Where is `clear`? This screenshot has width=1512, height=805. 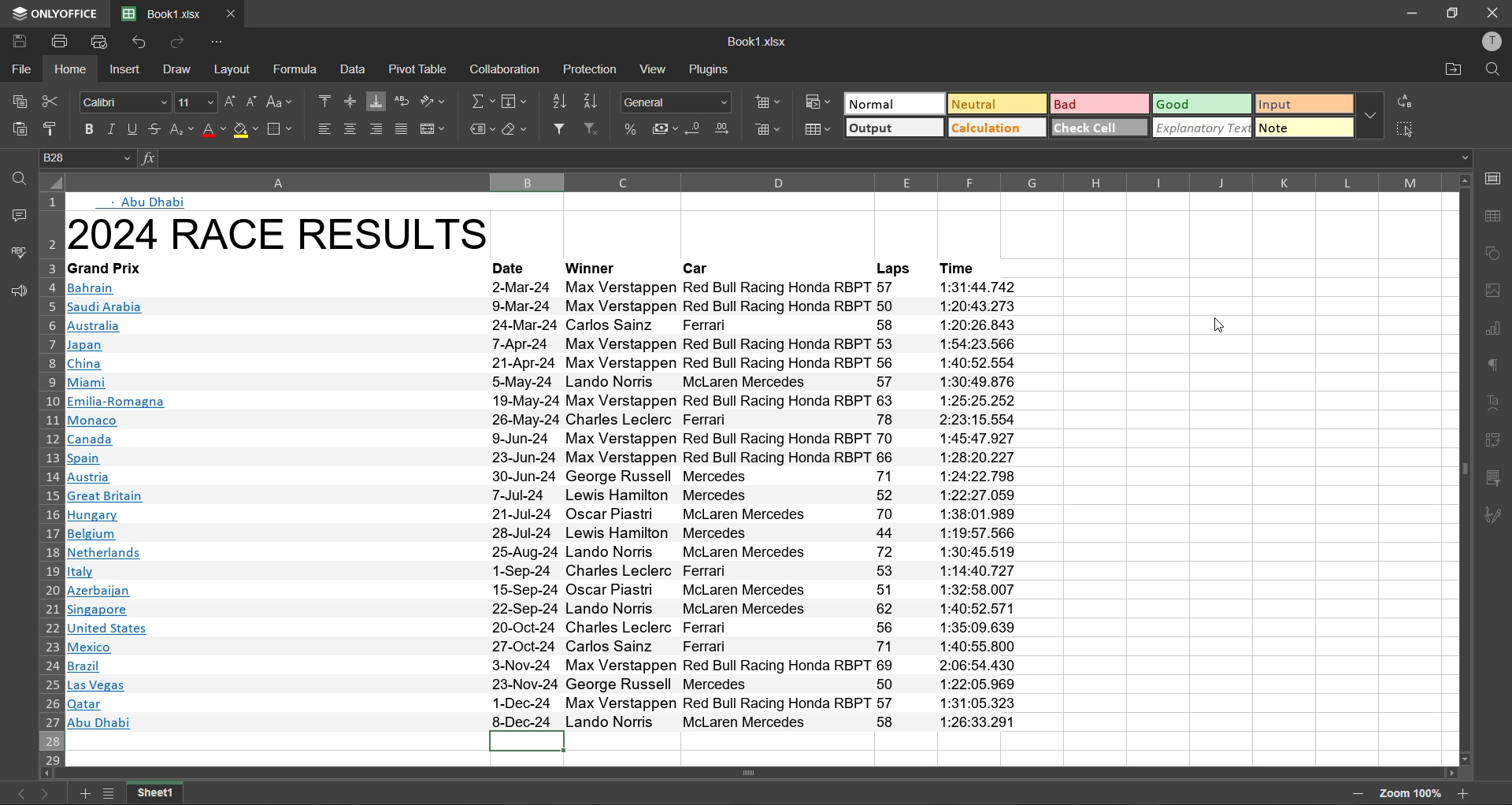 clear is located at coordinates (518, 128).